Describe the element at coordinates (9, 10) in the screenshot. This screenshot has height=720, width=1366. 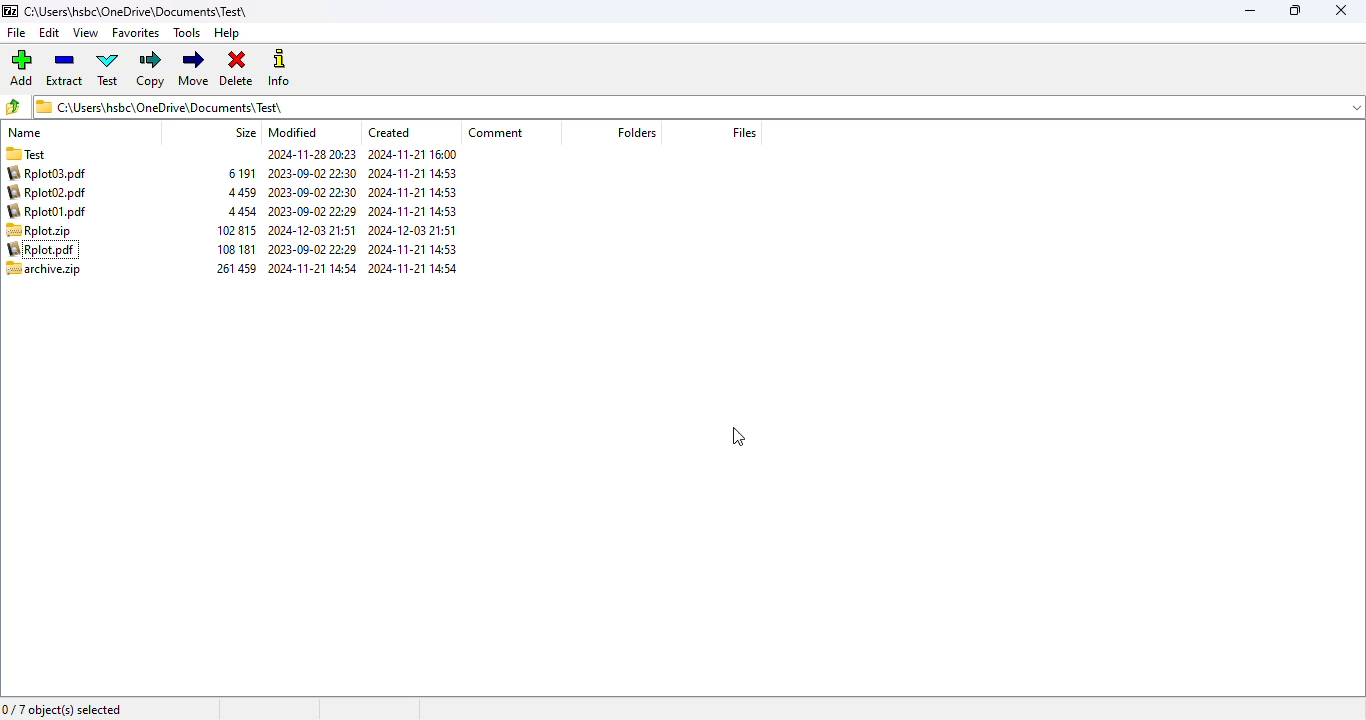
I see `logo` at that location.